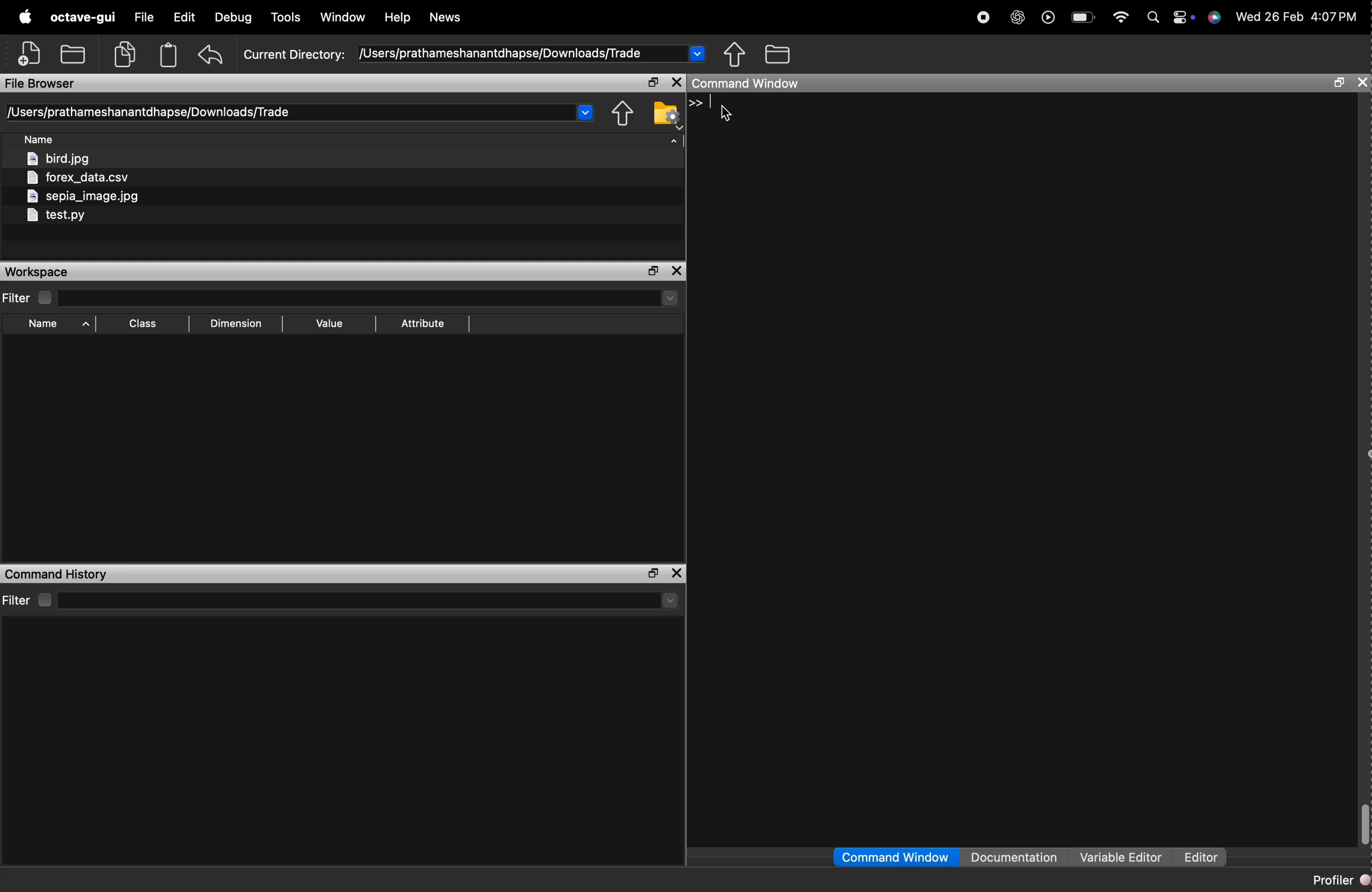  I want to click on search, so click(1155, 18).